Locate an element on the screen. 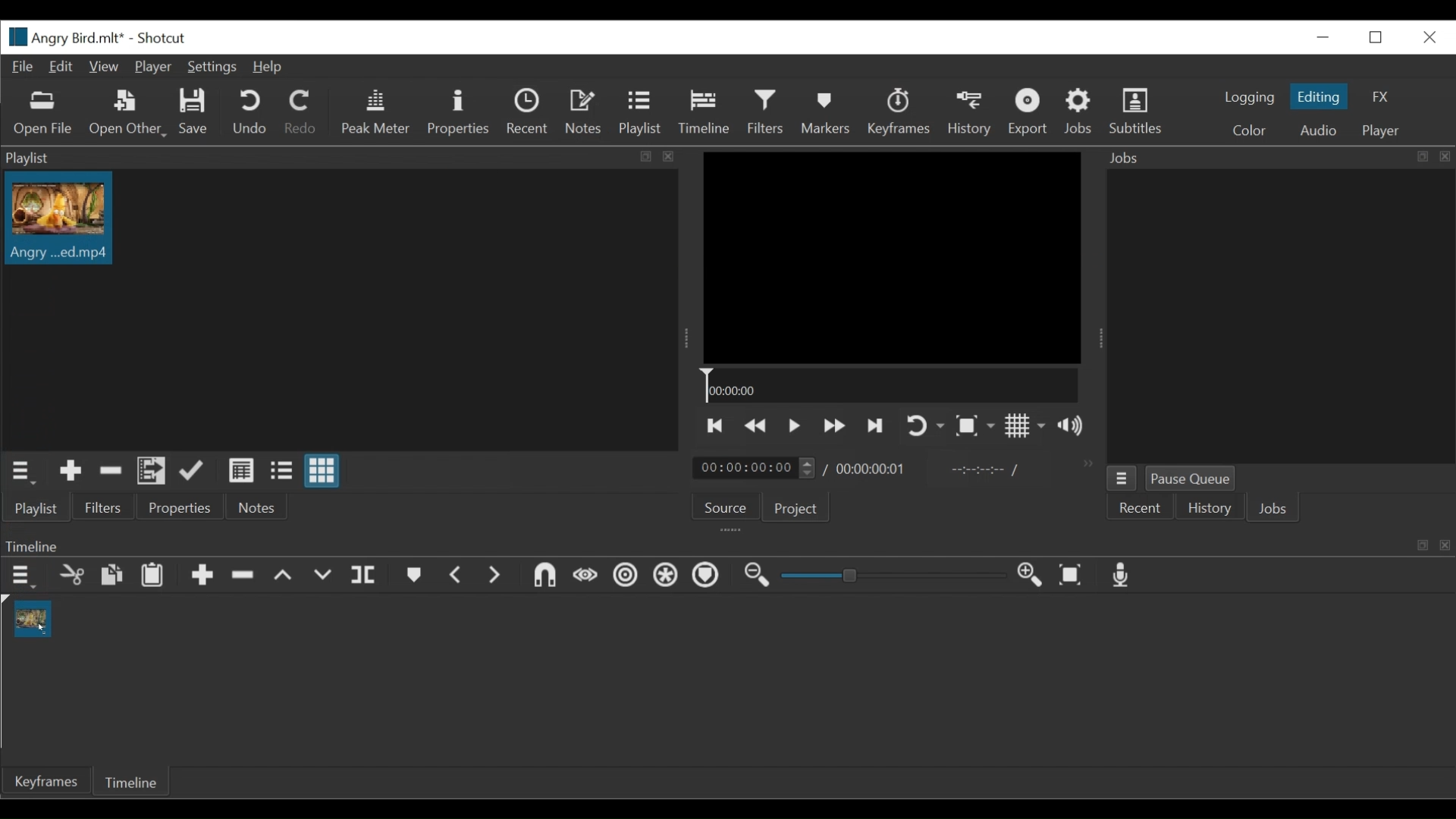 The width and height of the screenshot is (1456, 819). Zoom slider is located at coordinates (896, 575).